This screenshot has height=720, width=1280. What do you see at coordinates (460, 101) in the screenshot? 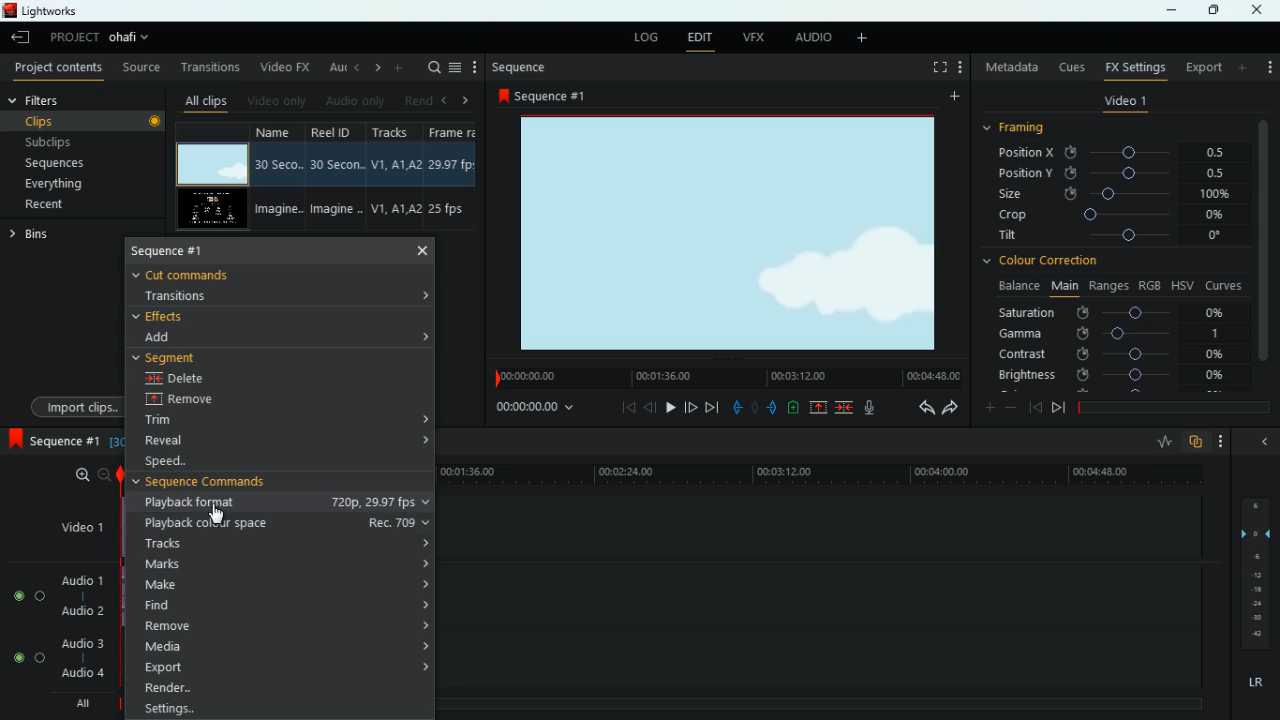
I see `right` at bounding box center [460, 101].